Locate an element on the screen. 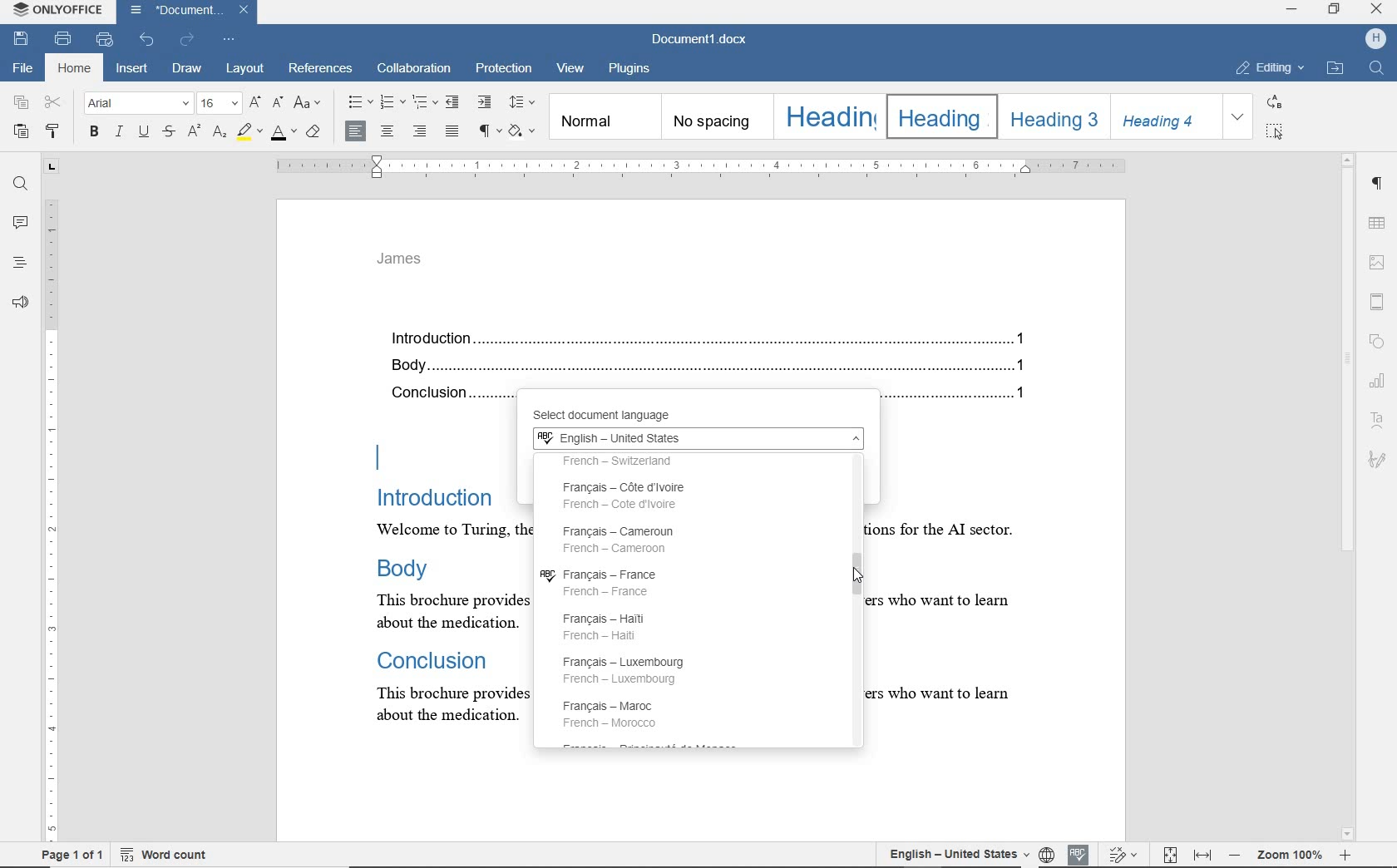 This screenshot has height=868, width=1397. François - Cameroun is located at coordinates (620, 539).